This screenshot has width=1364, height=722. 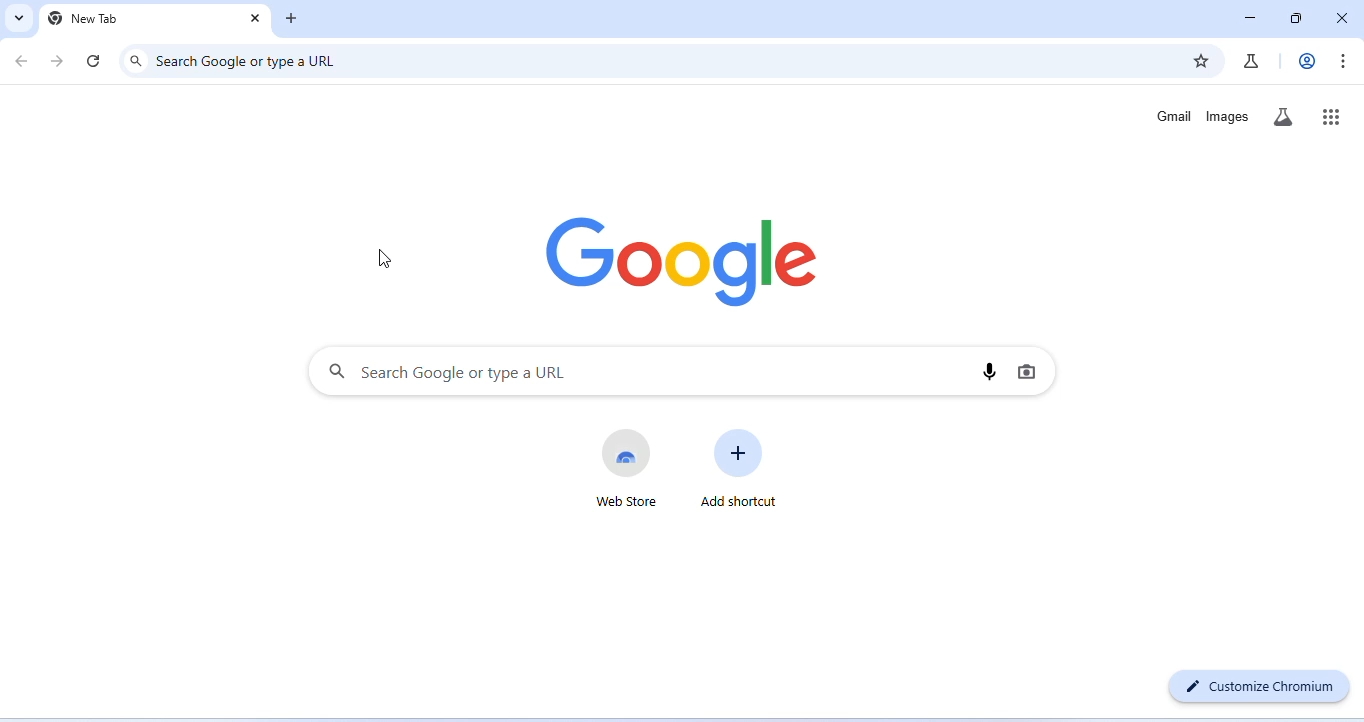 I want to click on new tab, so click(x=84, y=19).